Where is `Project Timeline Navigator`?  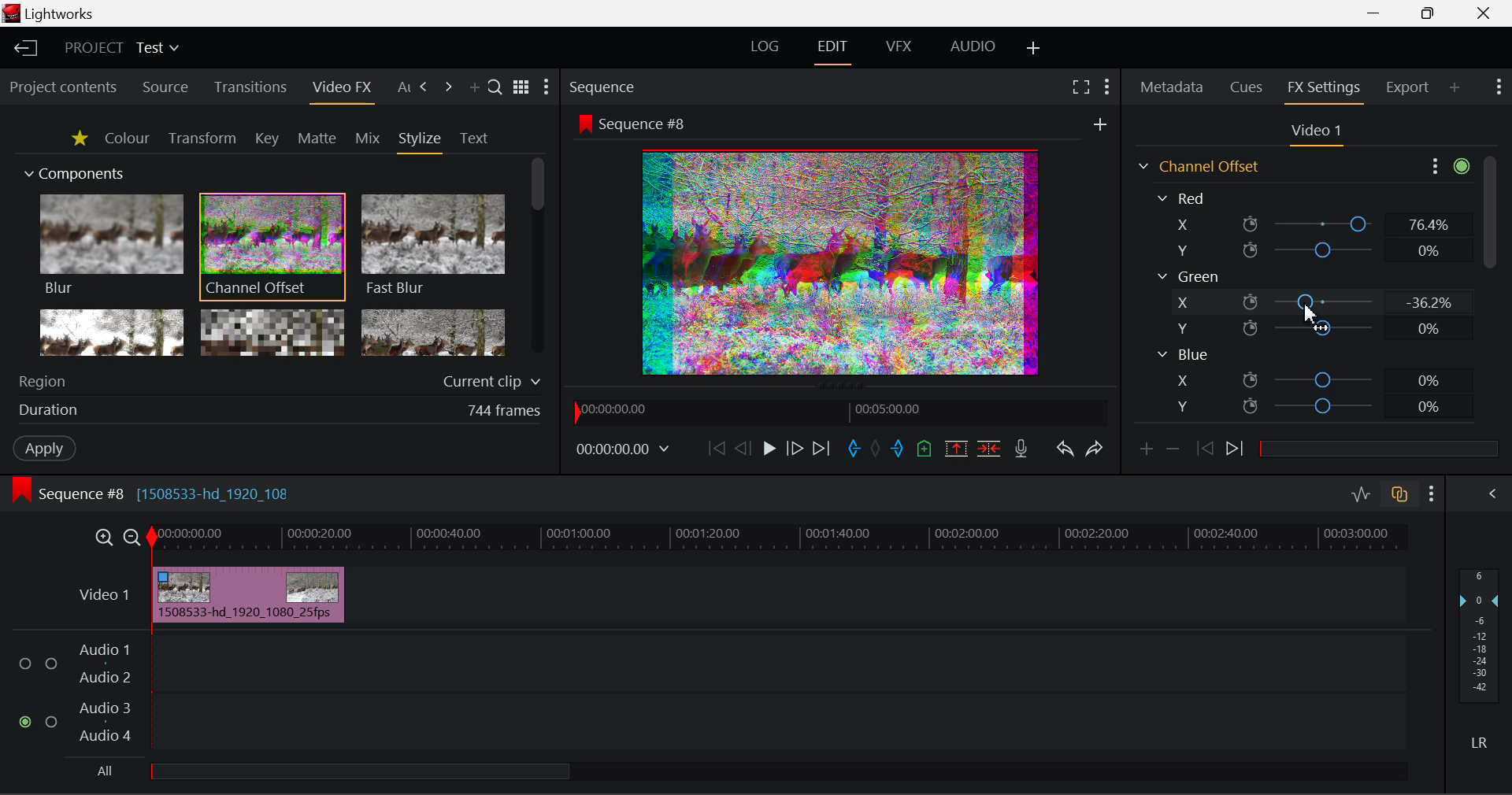
Project Timeline Navigator is located at coordinates (841, 412).